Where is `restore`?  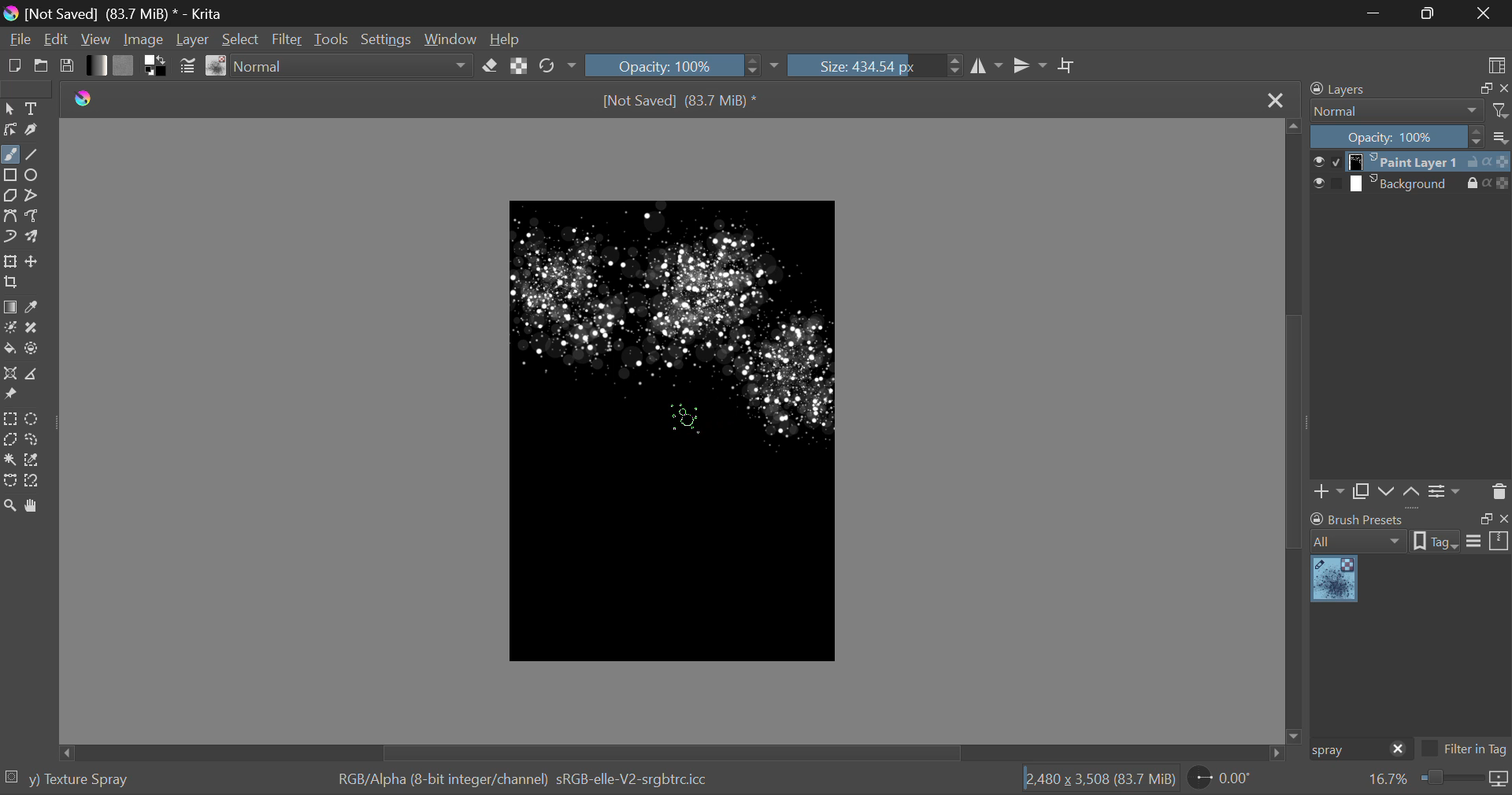 restore is located at coordinates (1483, 519).